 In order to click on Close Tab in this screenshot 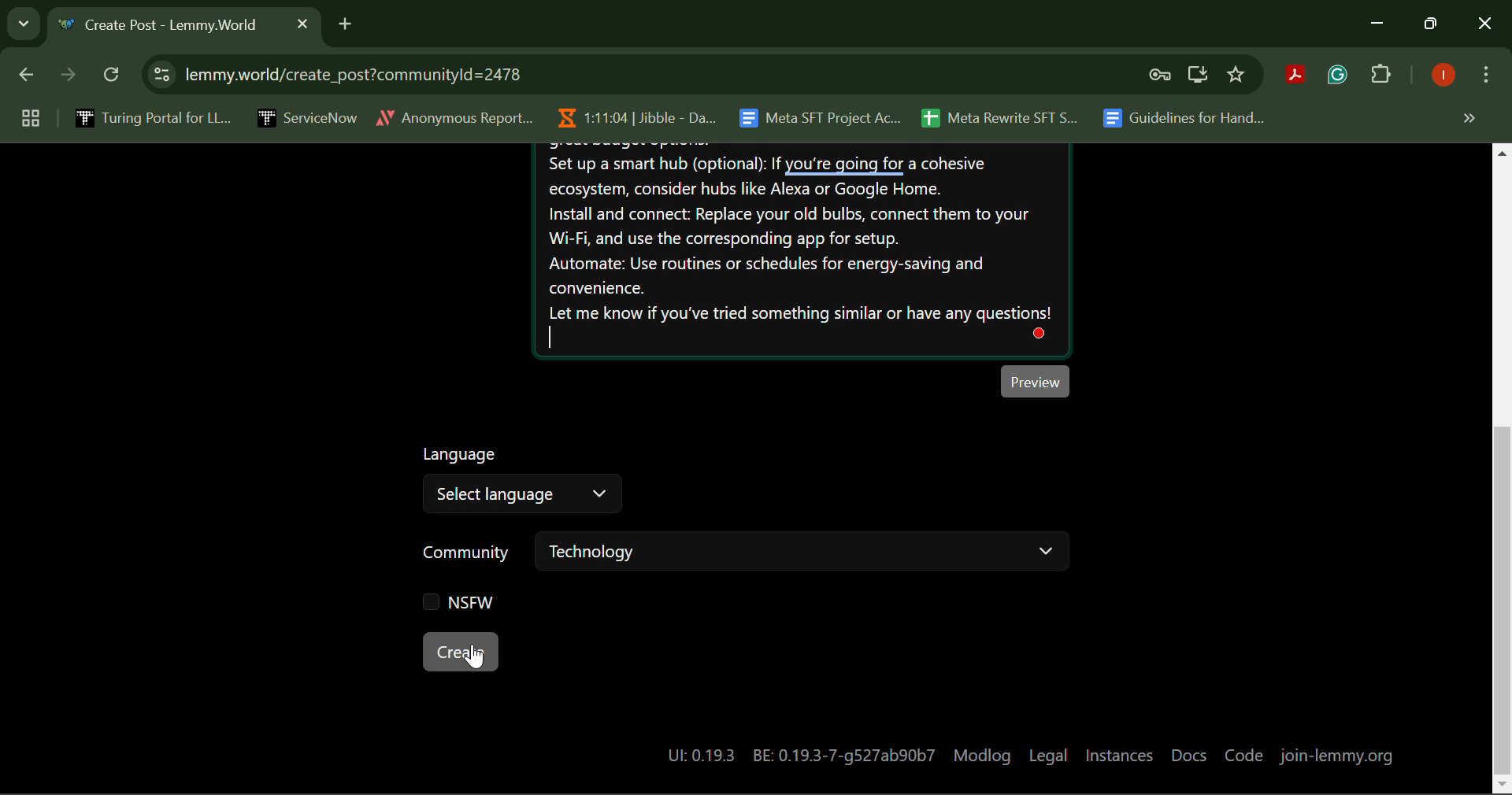, I will do `click(302, 23)`.